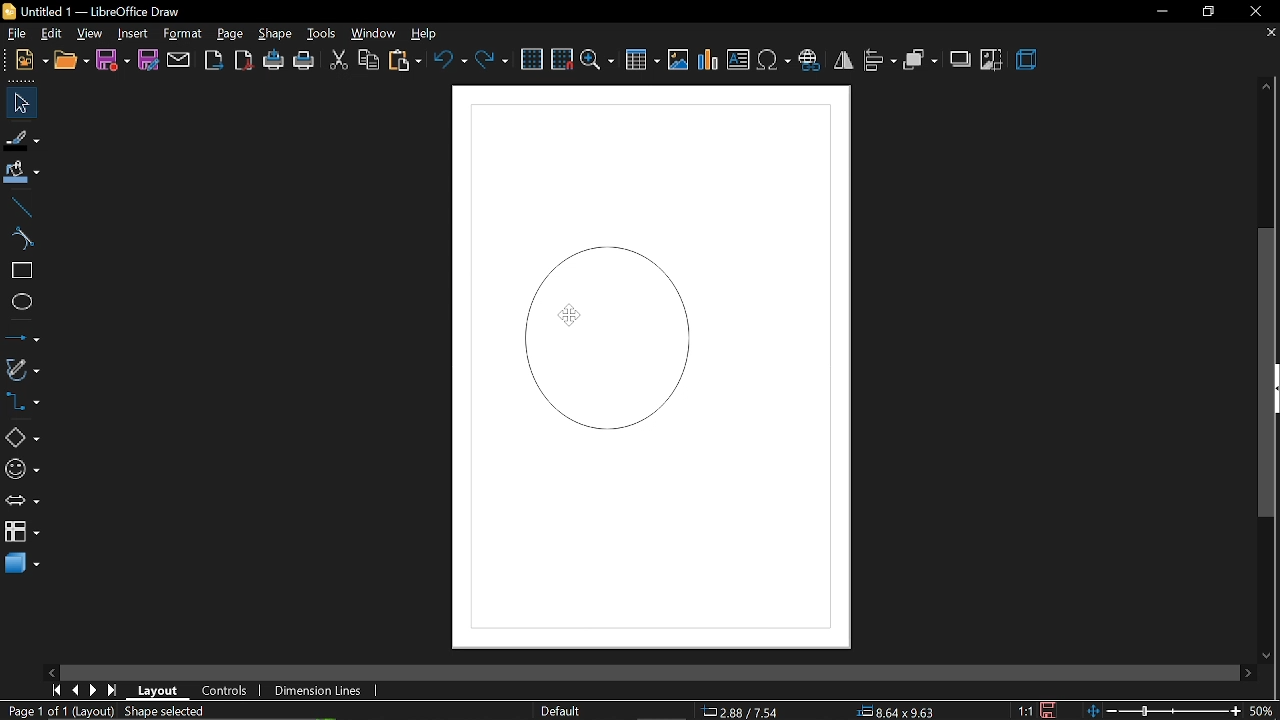 Image resolution: width=1280 pixels, height=720 pixels. What do you see at coordinates (21, 137) in the screenshot?
I see `fill line` at bounding box center [21, 137].